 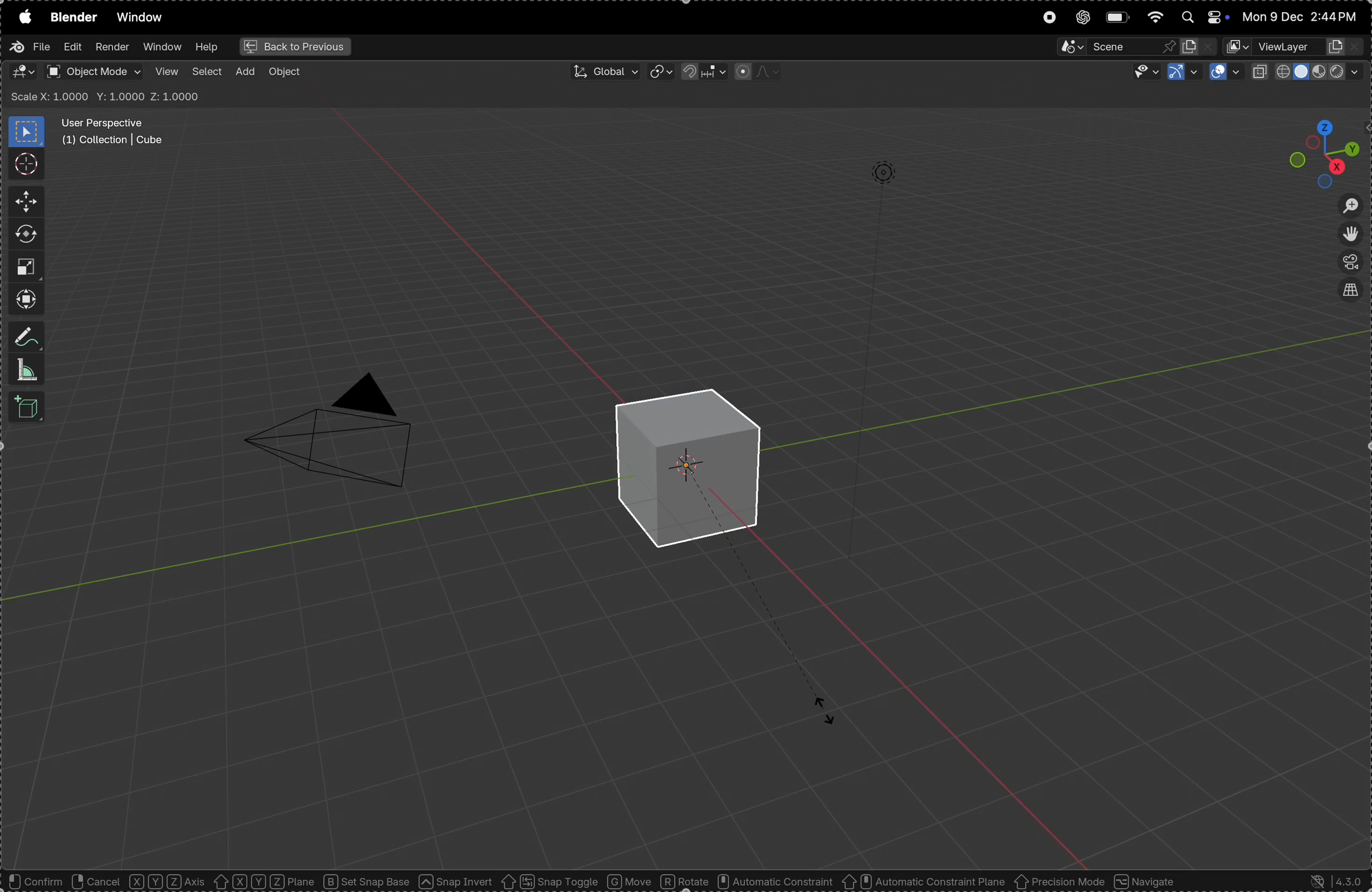 I want to click on render, so click(x=111, y=46).